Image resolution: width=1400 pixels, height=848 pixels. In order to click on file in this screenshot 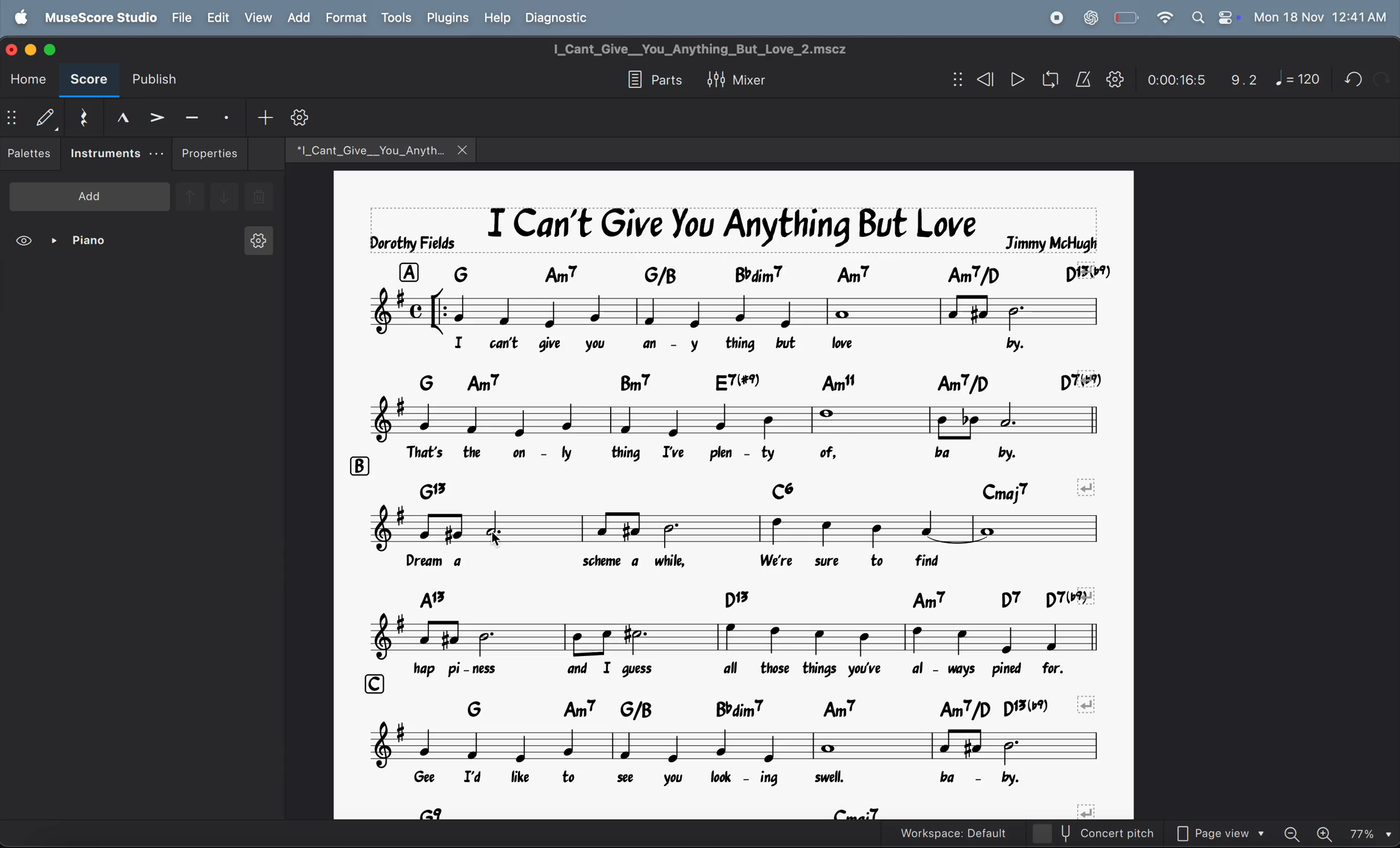, I will do `click(181, 19)`.